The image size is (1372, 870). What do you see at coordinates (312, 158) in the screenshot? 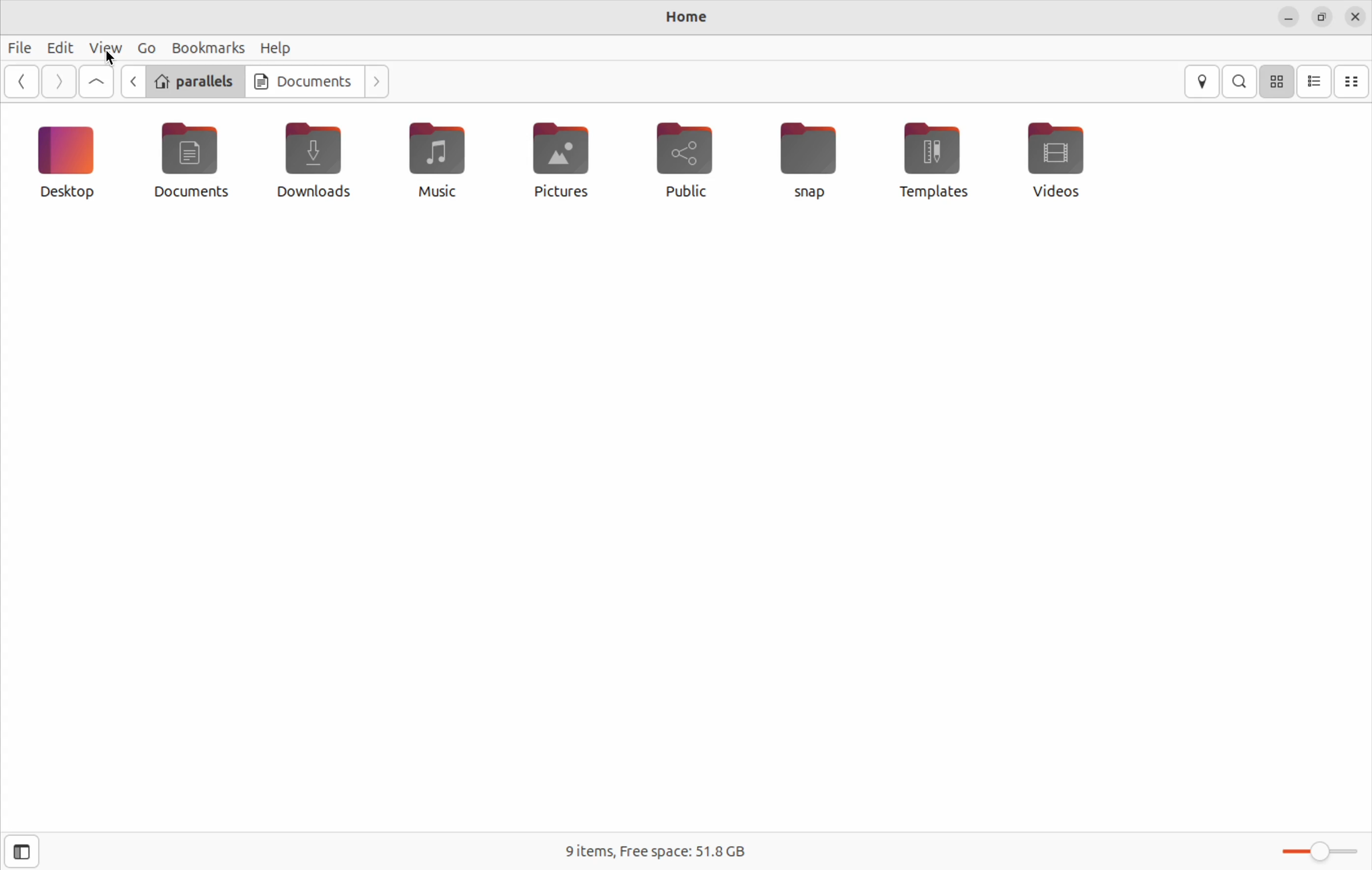
I see `downloads` at bounding box center [312, 158].